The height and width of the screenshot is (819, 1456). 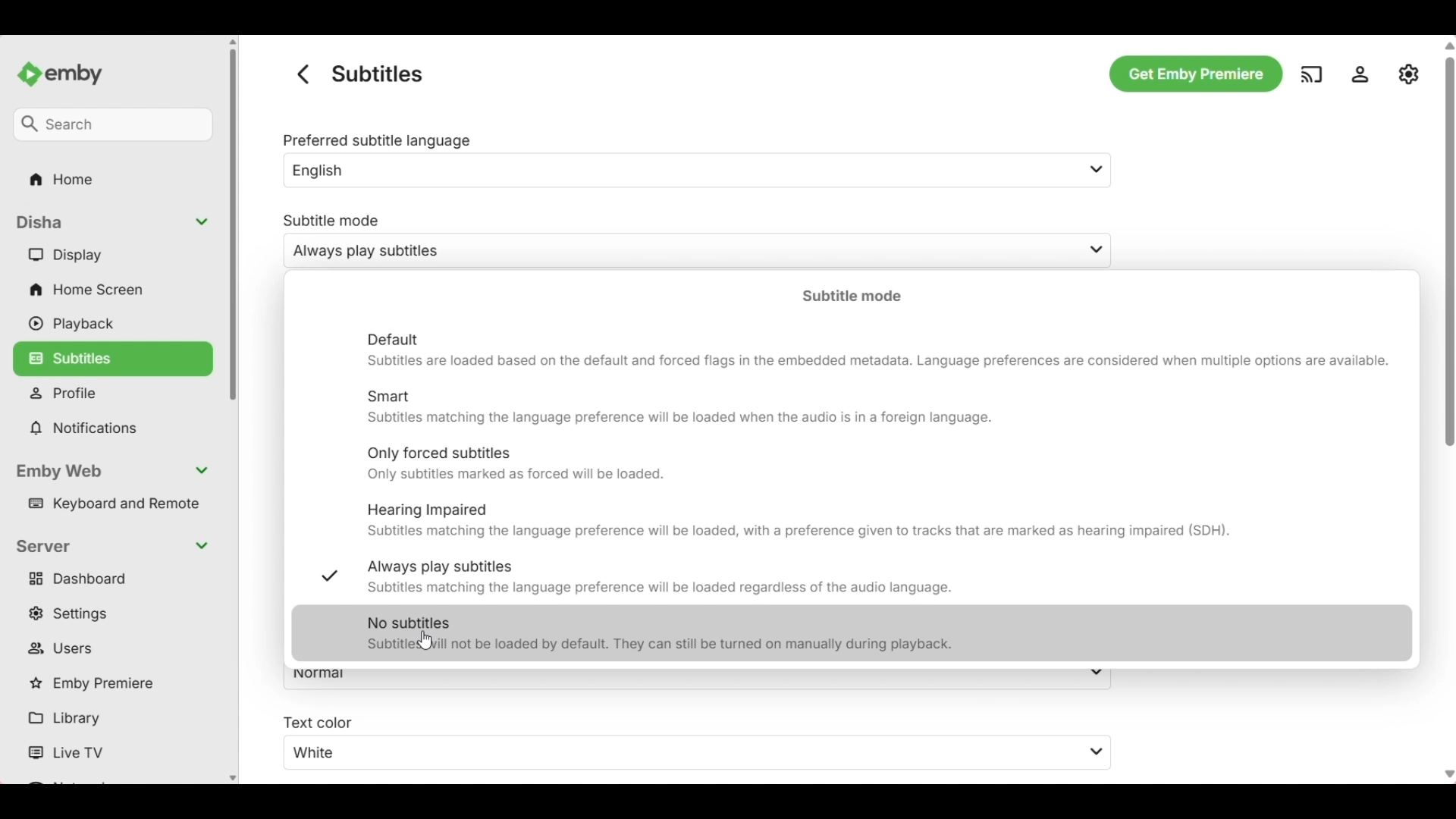 I want to click on Live TV, so click(x=117, y=753).